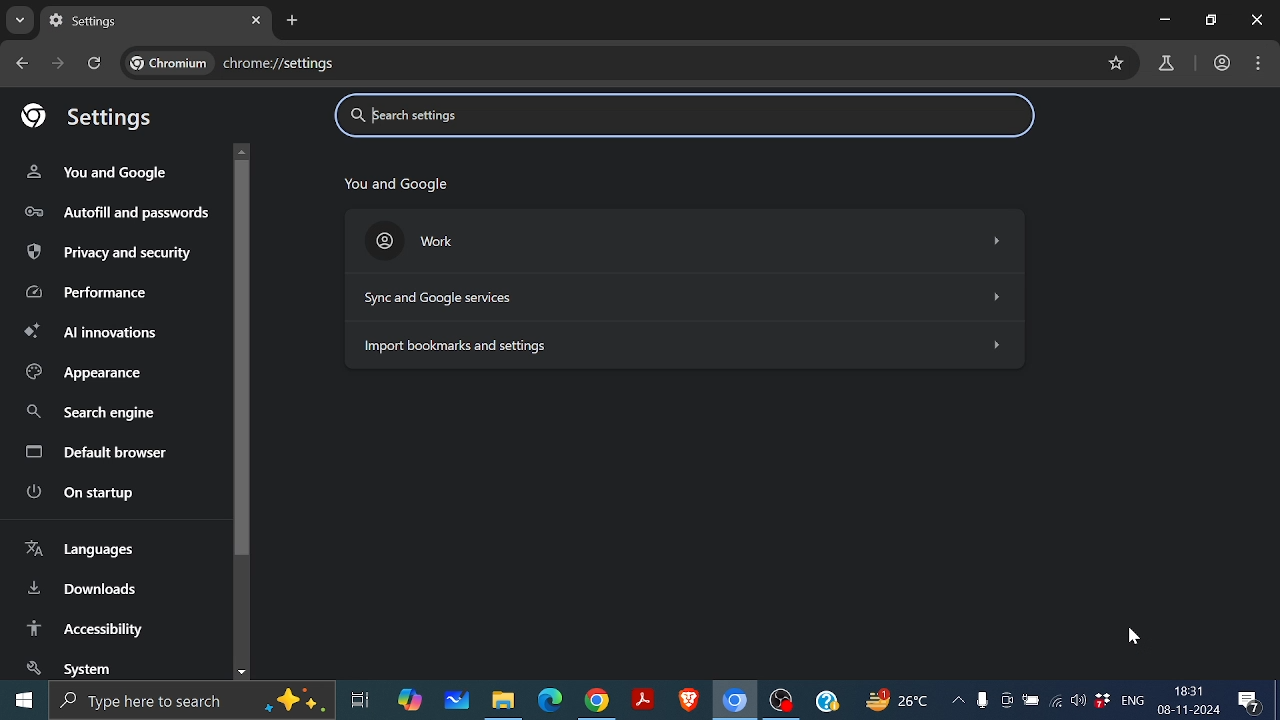 The height and width of the screenshot is (720, 1280). Describe the element at coordinates (1132, 637) in the screenshot. I see `cursor` at that location.